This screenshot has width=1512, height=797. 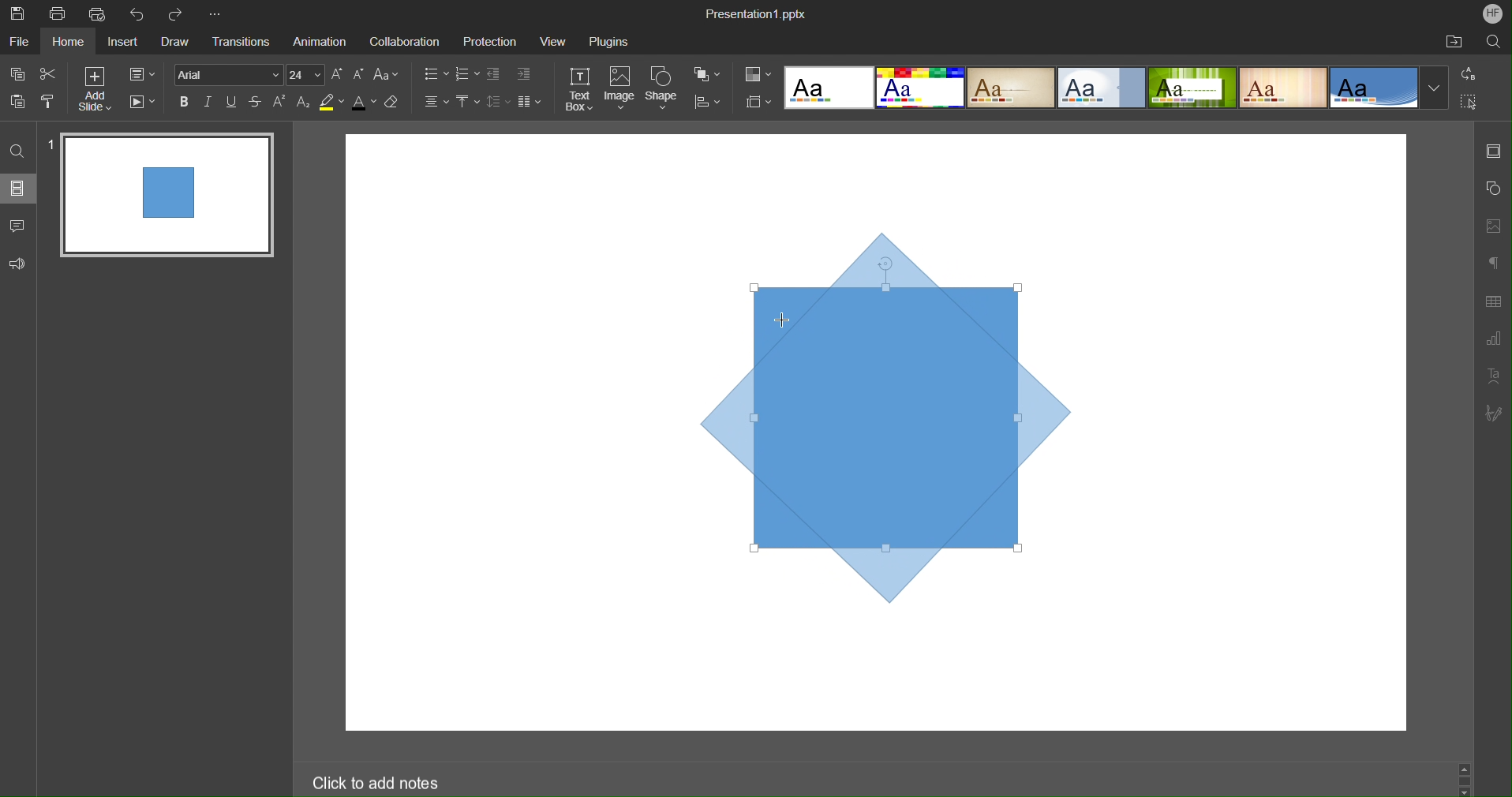 What do you see at coordinates (18, 188) in the screenshot?
I see `Slides` at bounding box center [18, 188].